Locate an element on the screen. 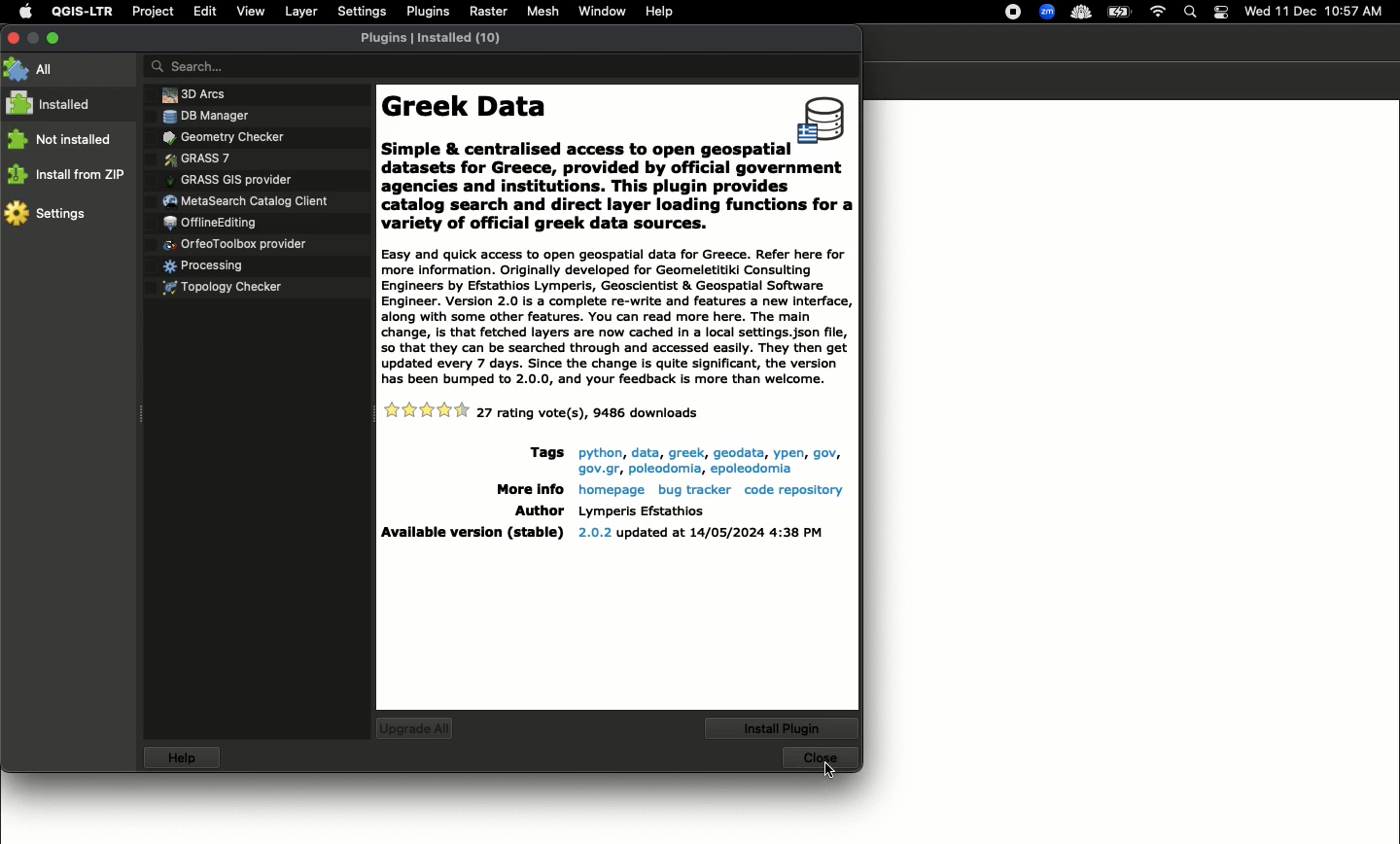 Image resolution: width=1400 pixels, height=844 pixels. Tags is located at coordinates (542, 454).